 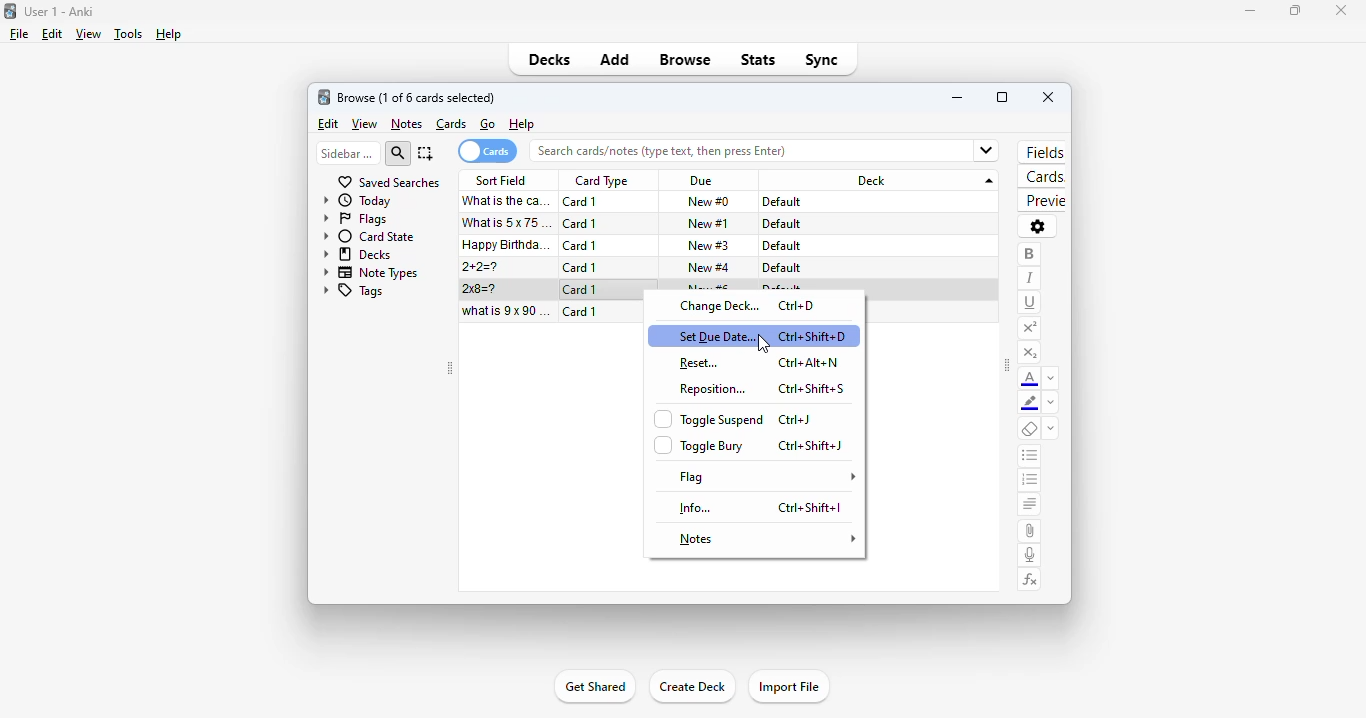 I want to click on 2x8=?, so click(x=482, y=289).